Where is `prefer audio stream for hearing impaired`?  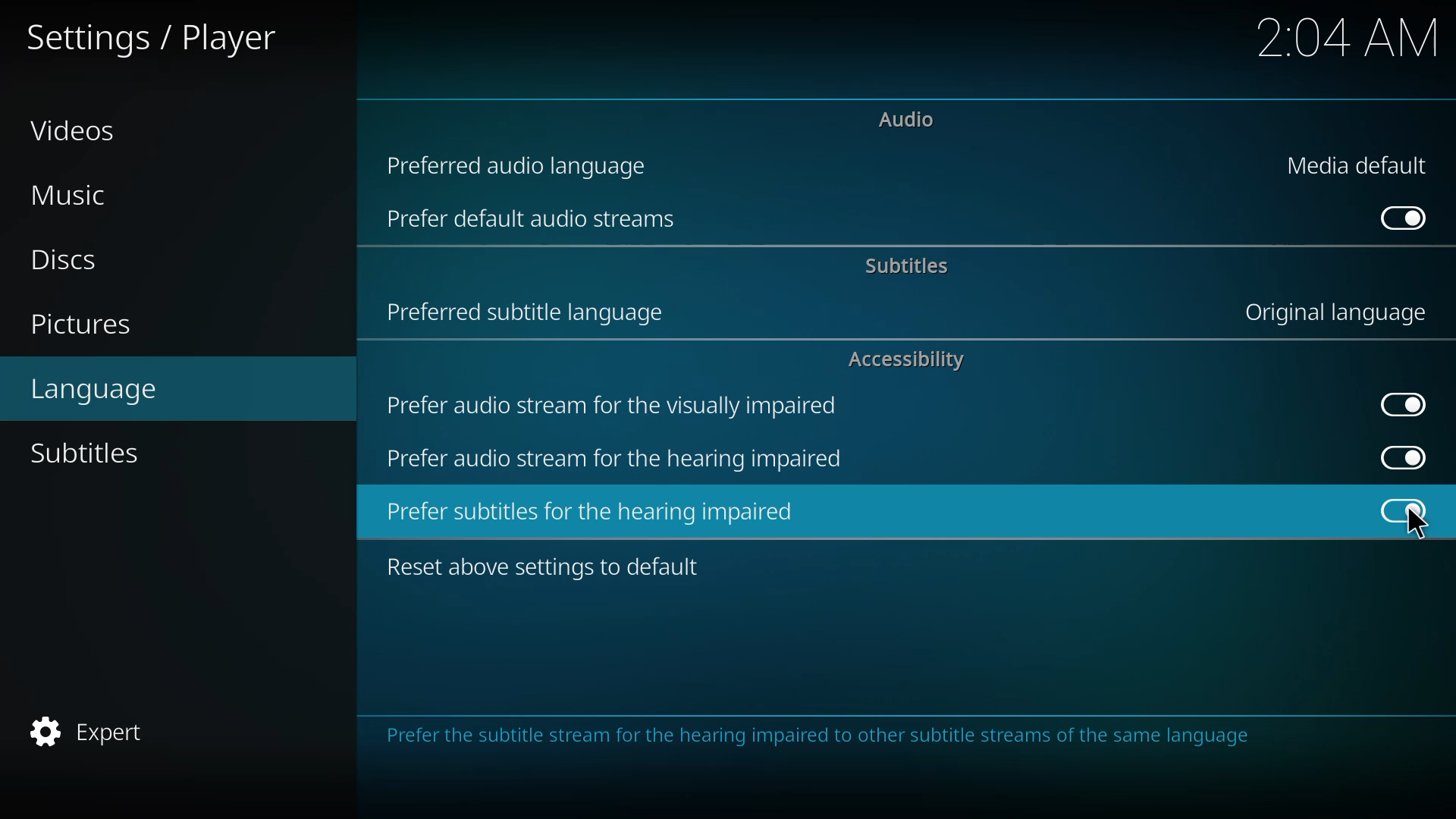
prefer audio stream for hearing impaired is located at coordinates (620, 459).